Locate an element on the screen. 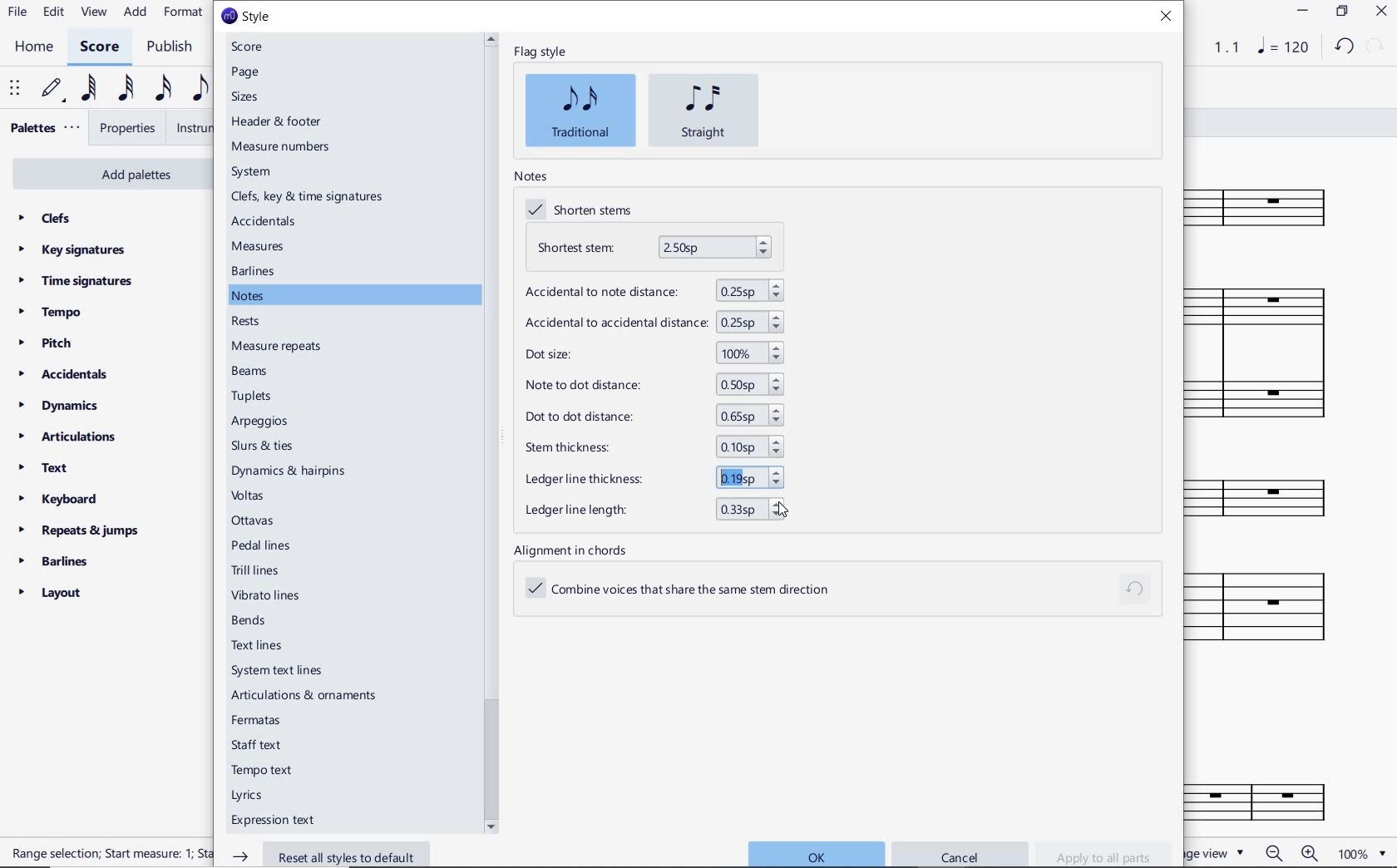 The width and height of the screenshot is (1397, 868). system is located at coordinates (251, 174).